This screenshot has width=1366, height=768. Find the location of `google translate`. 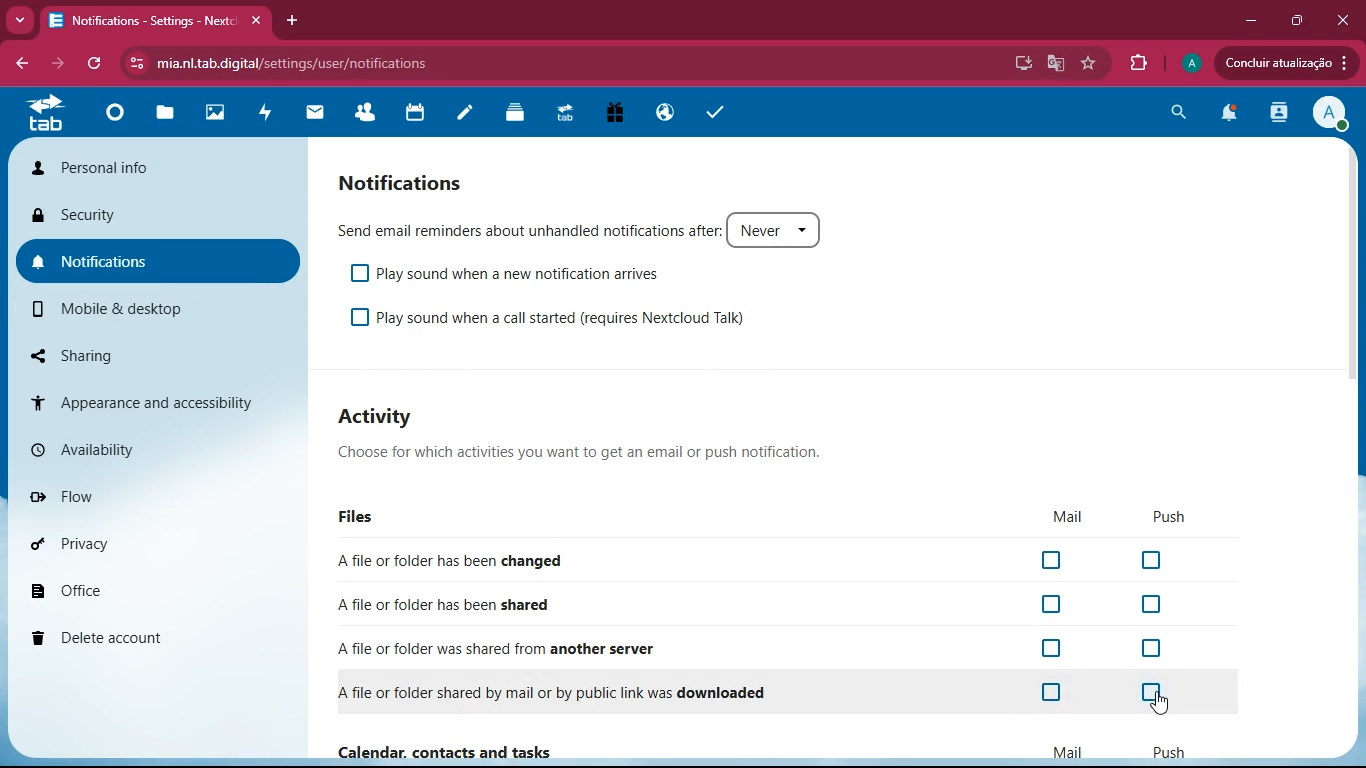

google translate is located at coordinates (1054, 62).